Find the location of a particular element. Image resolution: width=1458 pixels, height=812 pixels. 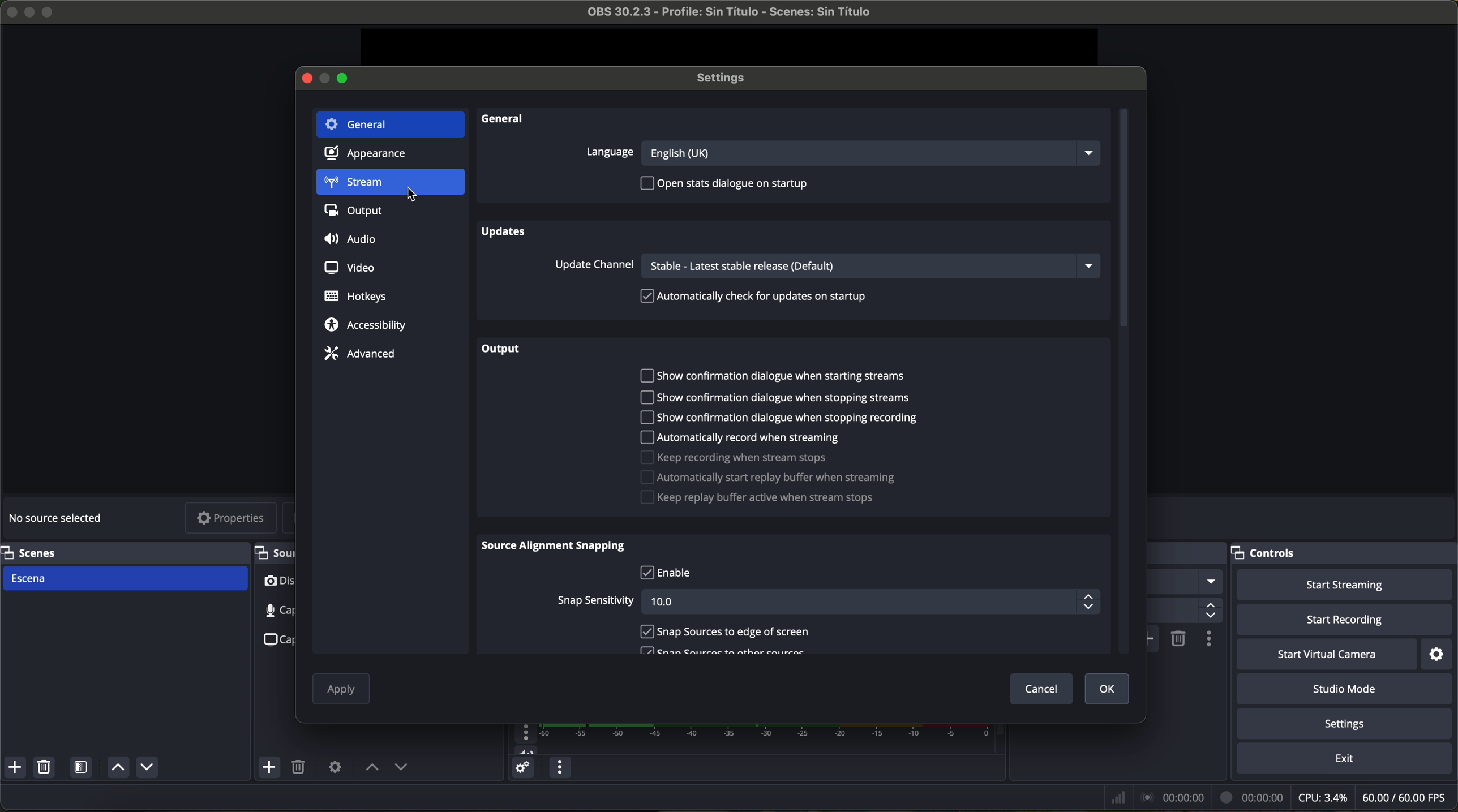

snap sensitivity is located at coordinates (825, 602).